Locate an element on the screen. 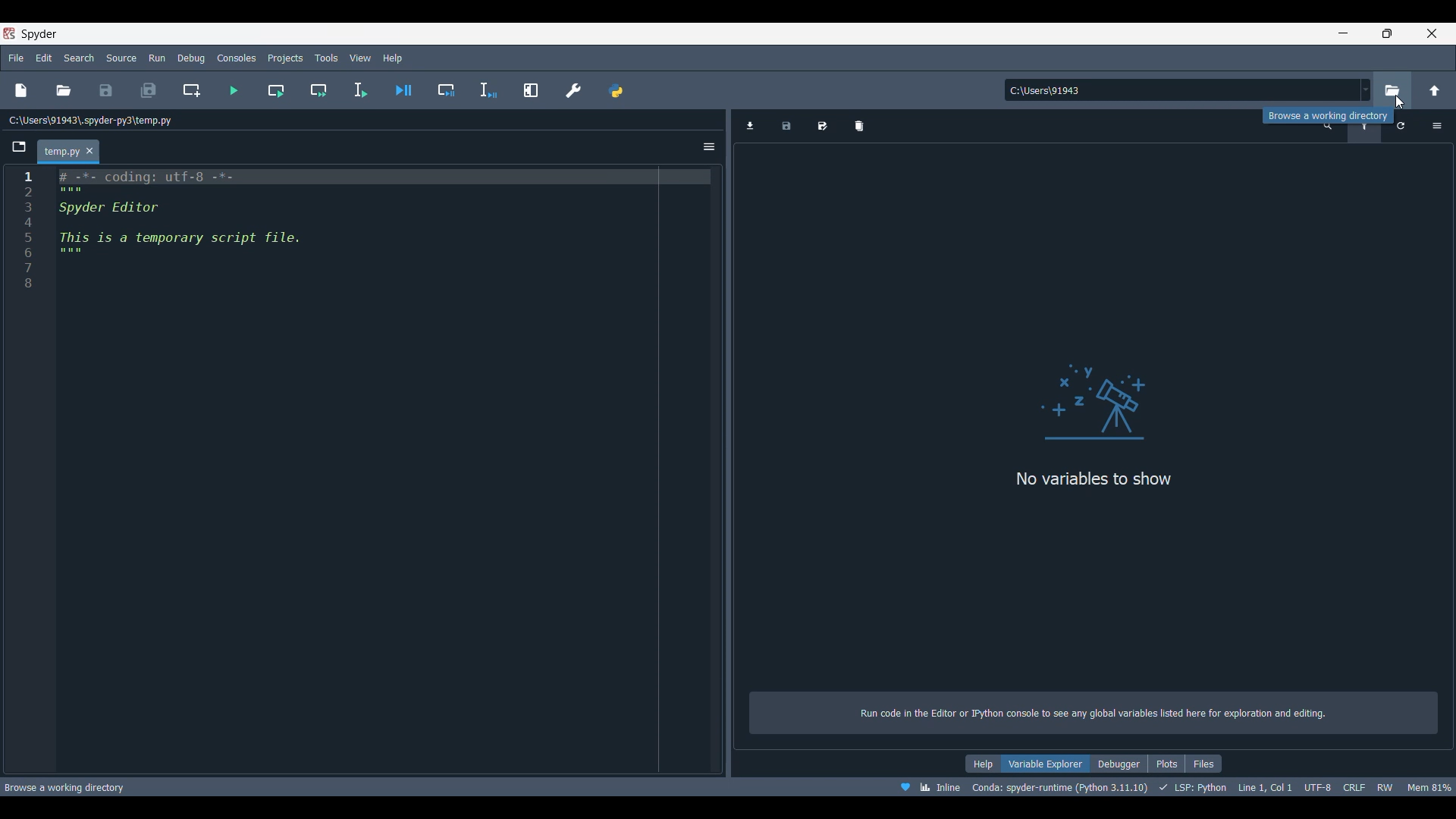 The height and width of the screenshot is (819, 1456). Software logo is located at coordinates (9, 33).